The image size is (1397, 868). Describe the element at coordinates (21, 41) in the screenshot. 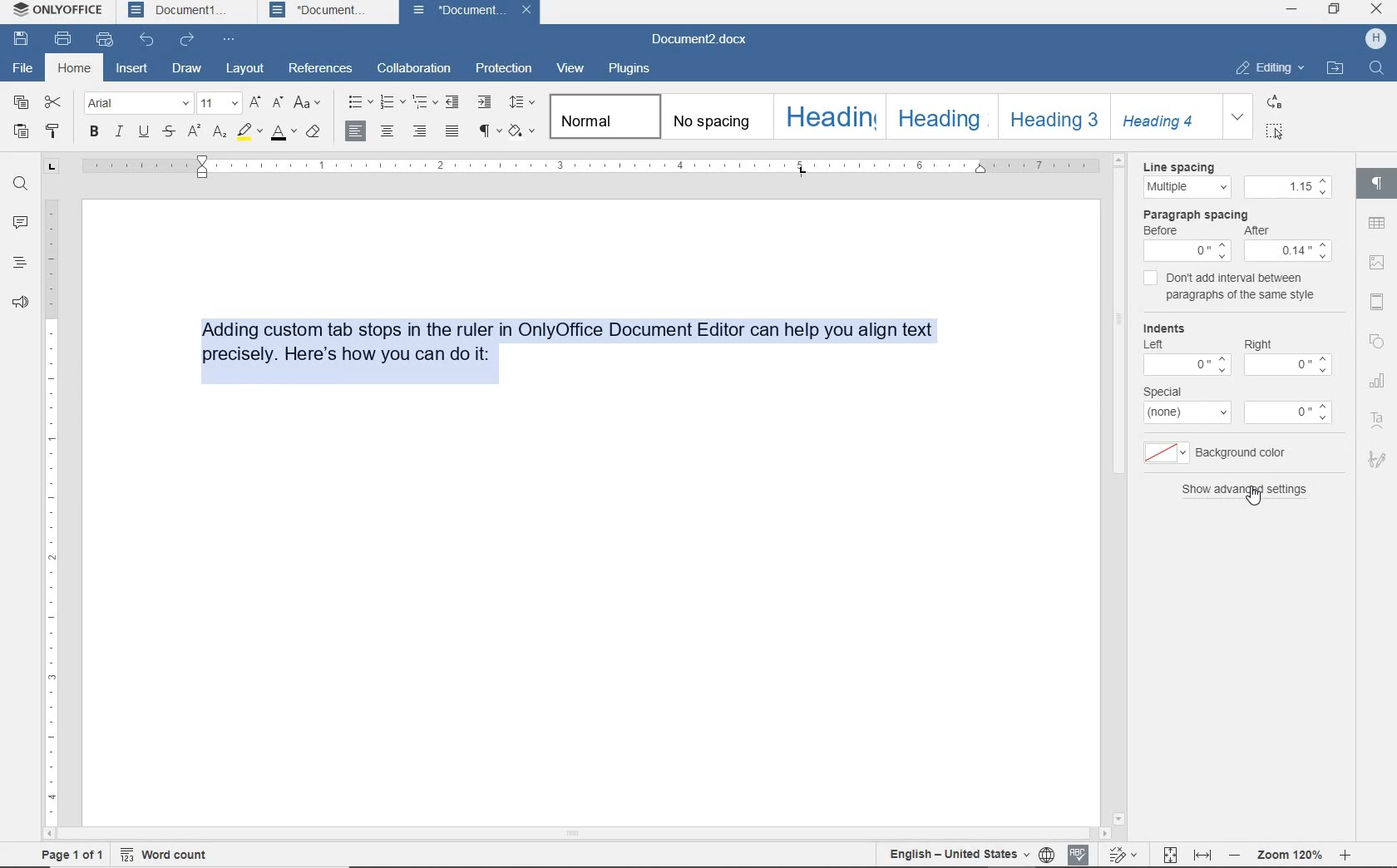

I see `save` at that location.